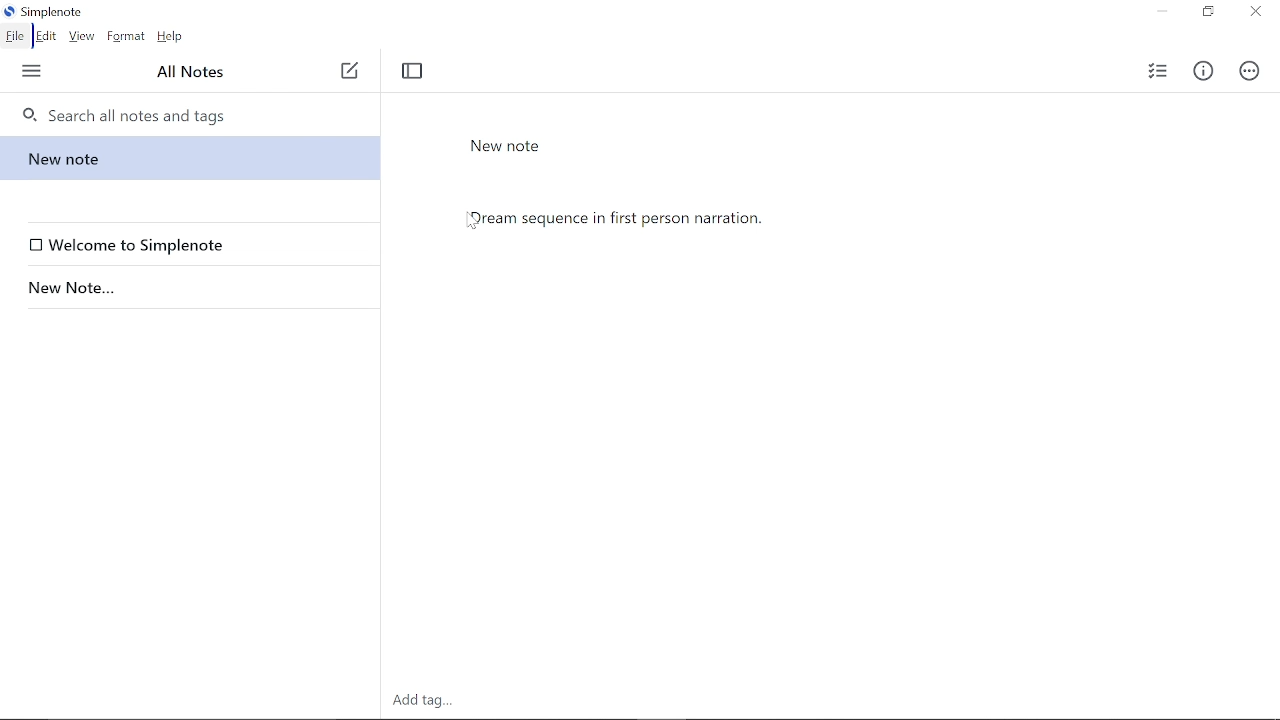  Describe the element at coordinates (186, 287) in the screenshot. I see `Note titled "New Note..."` at that location.